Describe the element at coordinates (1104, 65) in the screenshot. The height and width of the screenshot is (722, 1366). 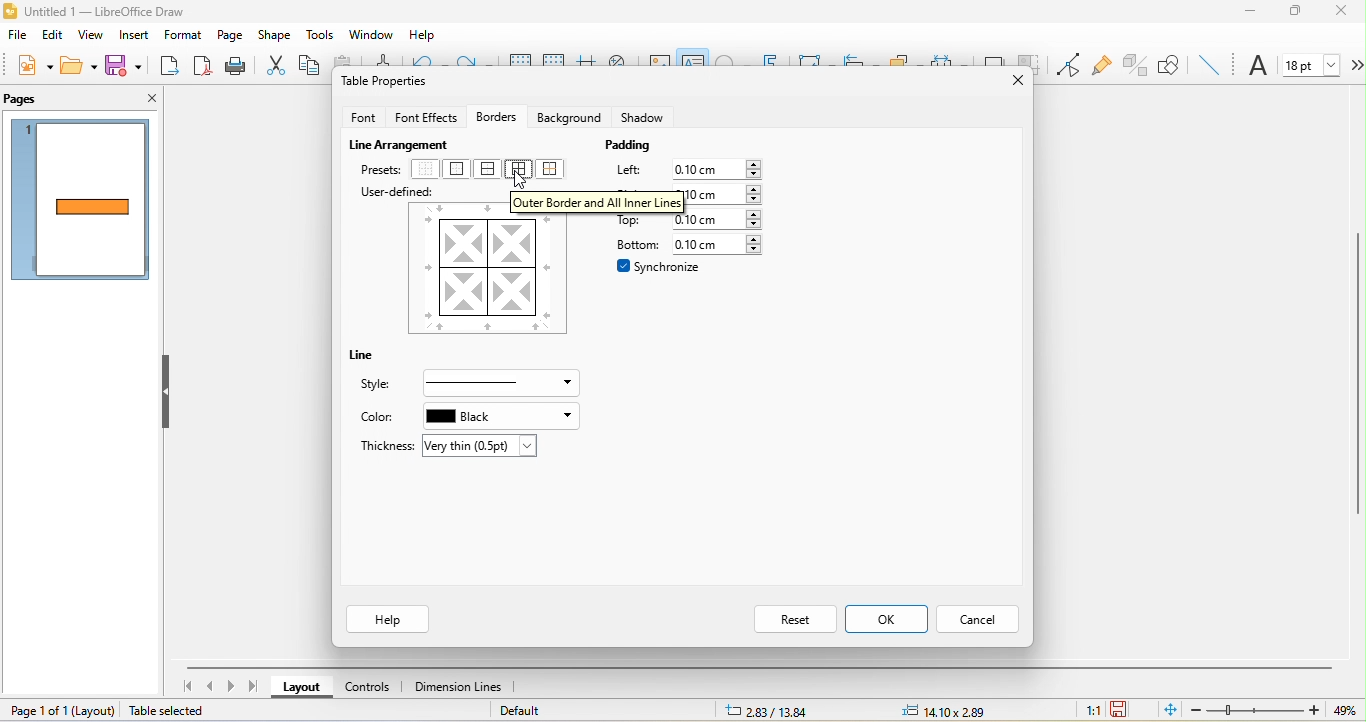
I see `gluepoint function` at that location.